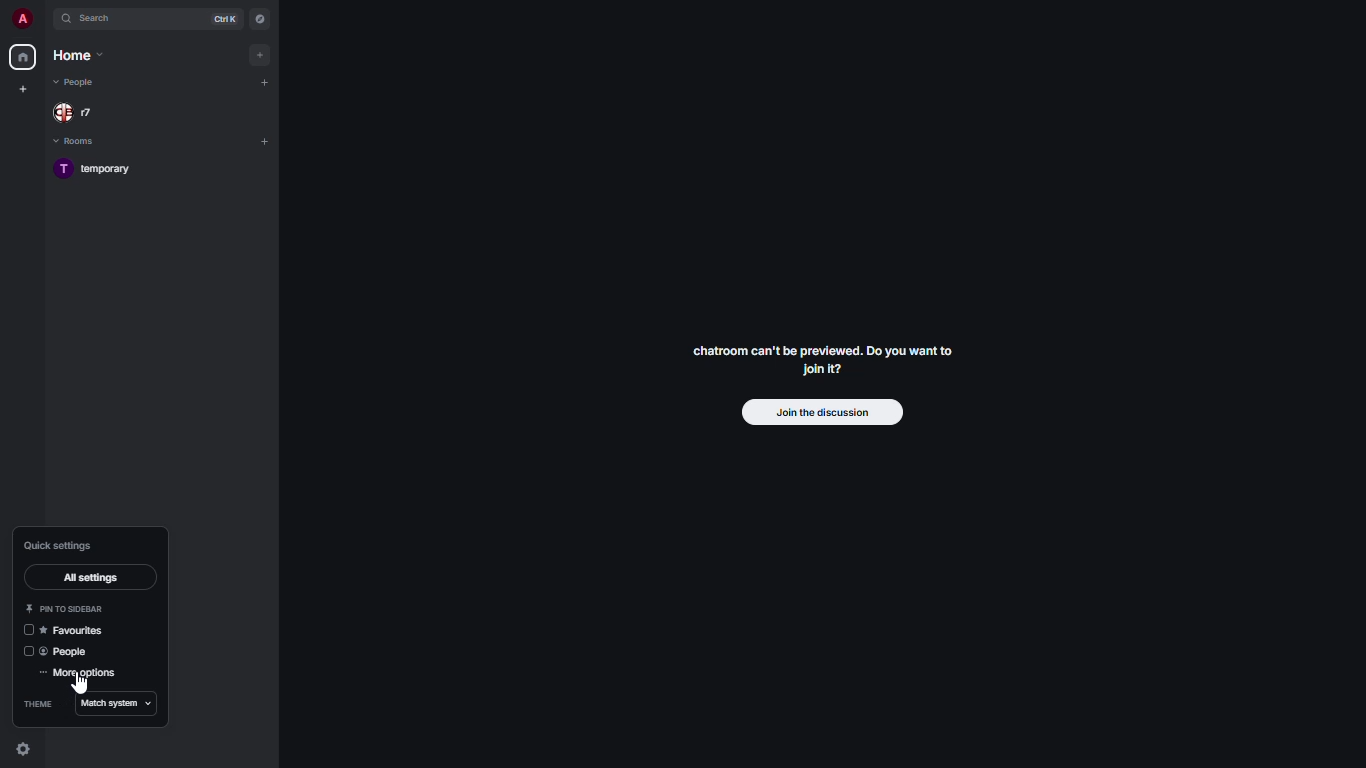  I want to click on people, so click(78, 114).